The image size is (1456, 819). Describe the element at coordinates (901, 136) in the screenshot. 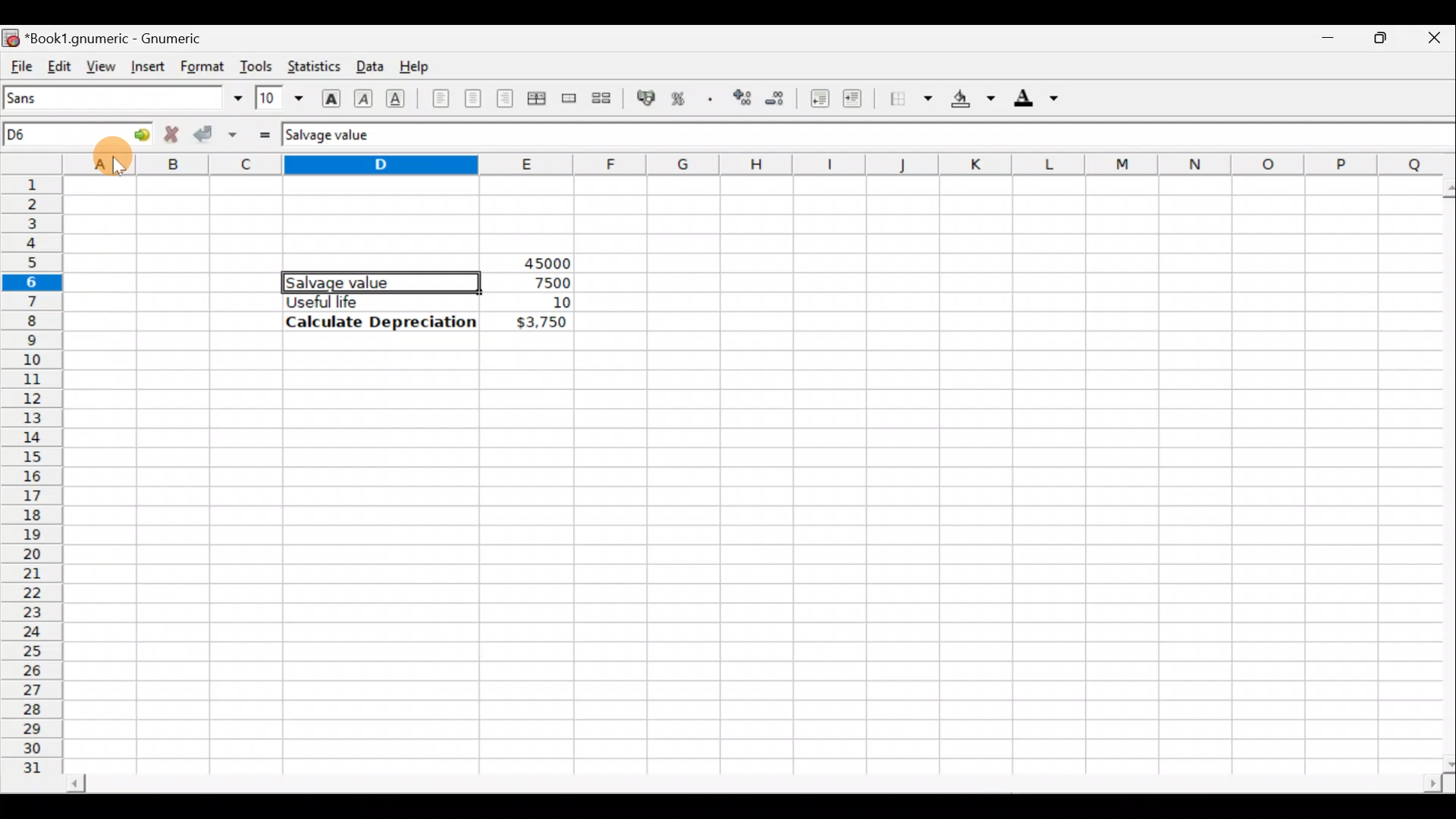

I see `Formula bar` at that location.